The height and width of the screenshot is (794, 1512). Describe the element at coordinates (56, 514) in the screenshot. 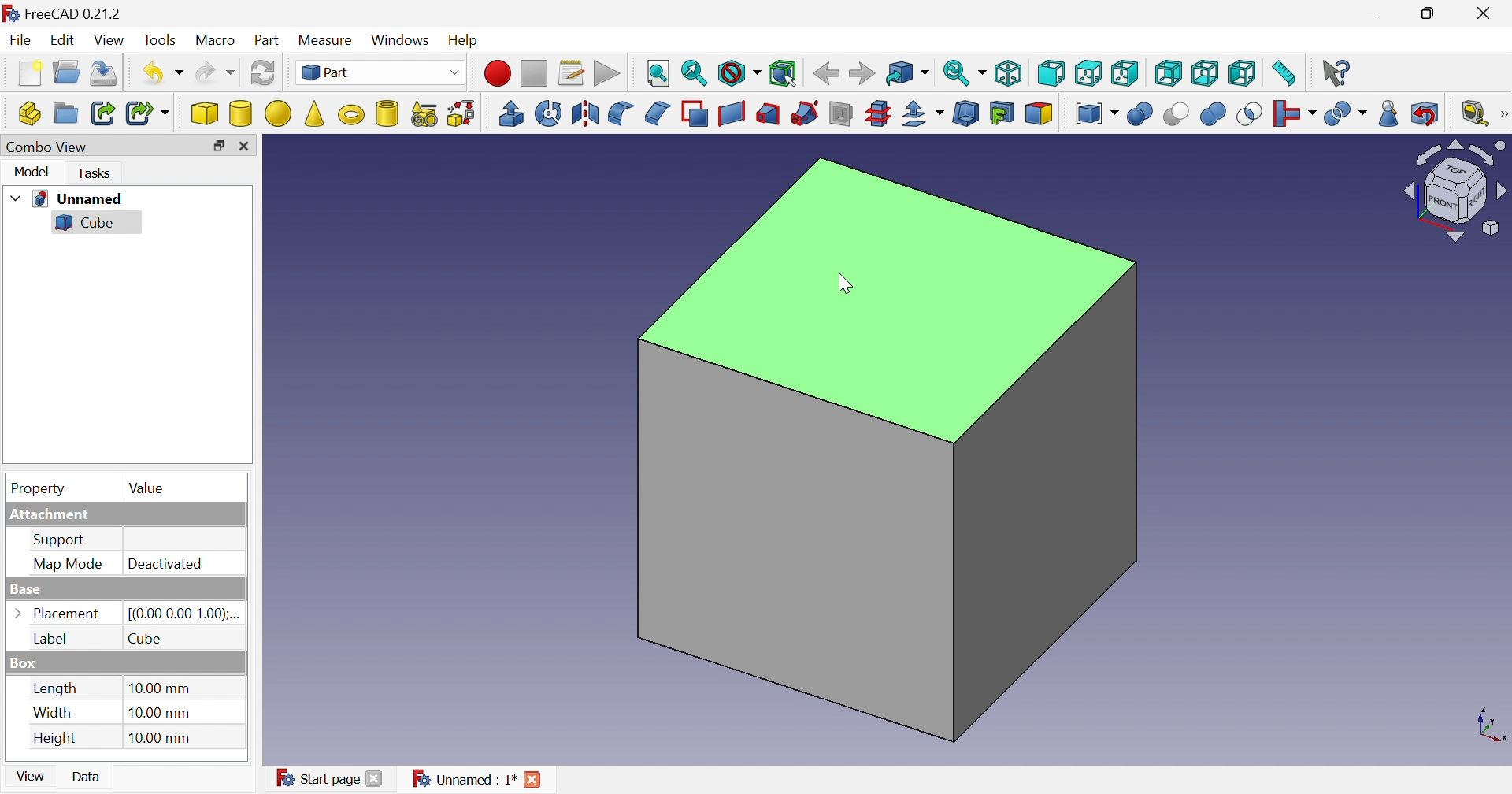

I see `Attachment` at that location.